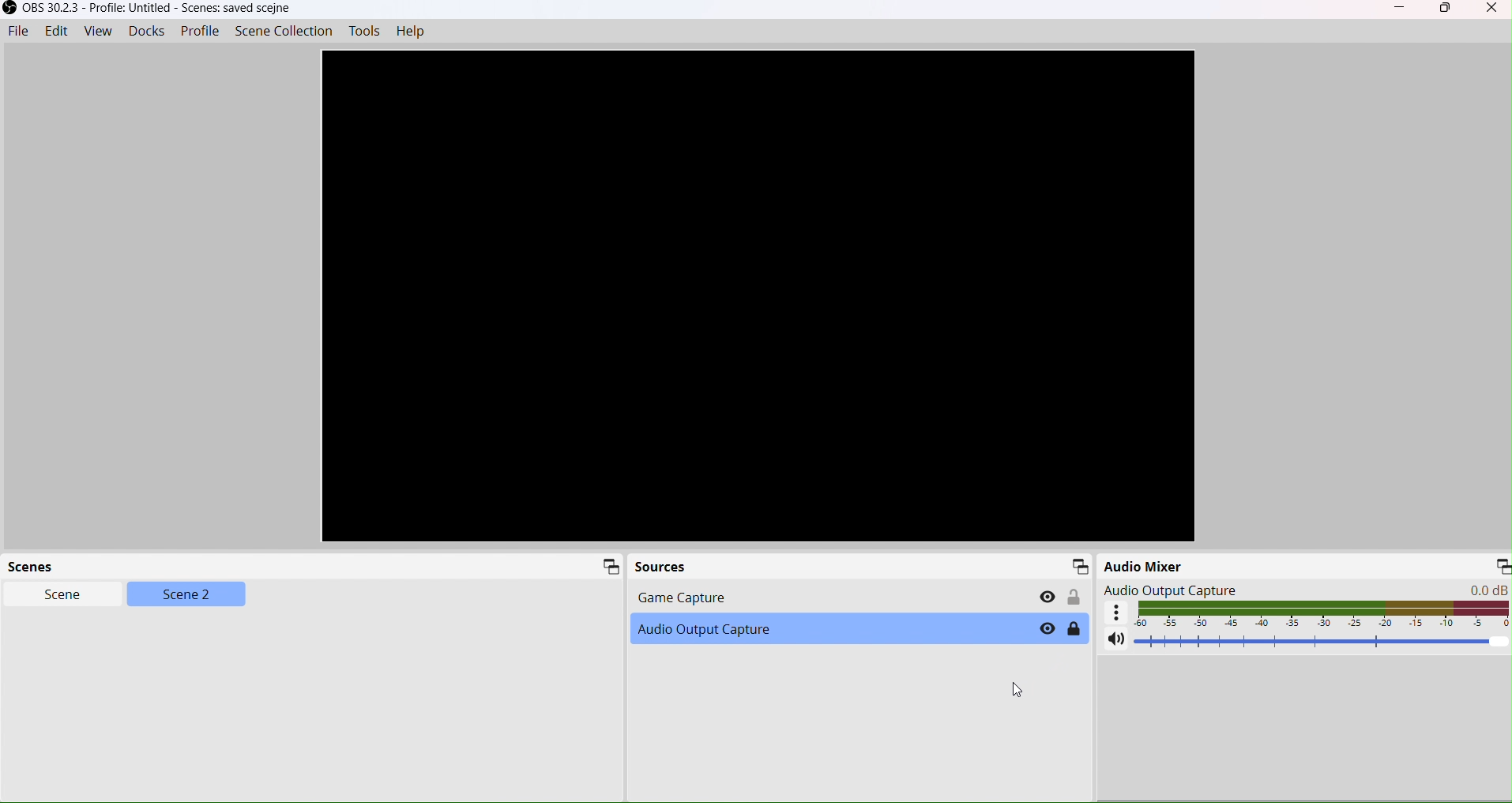 This screenshot has width=1512, height=803. I want to click on Minimize, so click(1503, 570).